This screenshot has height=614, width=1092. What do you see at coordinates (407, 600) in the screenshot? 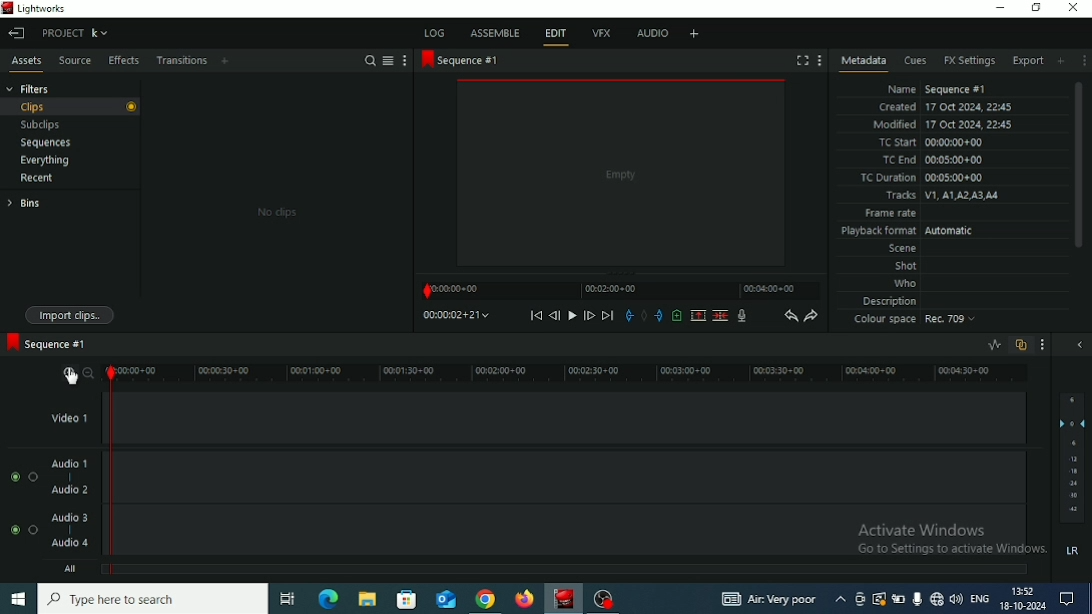
I see `Taskbar icon` at bounding box center [407, 600].